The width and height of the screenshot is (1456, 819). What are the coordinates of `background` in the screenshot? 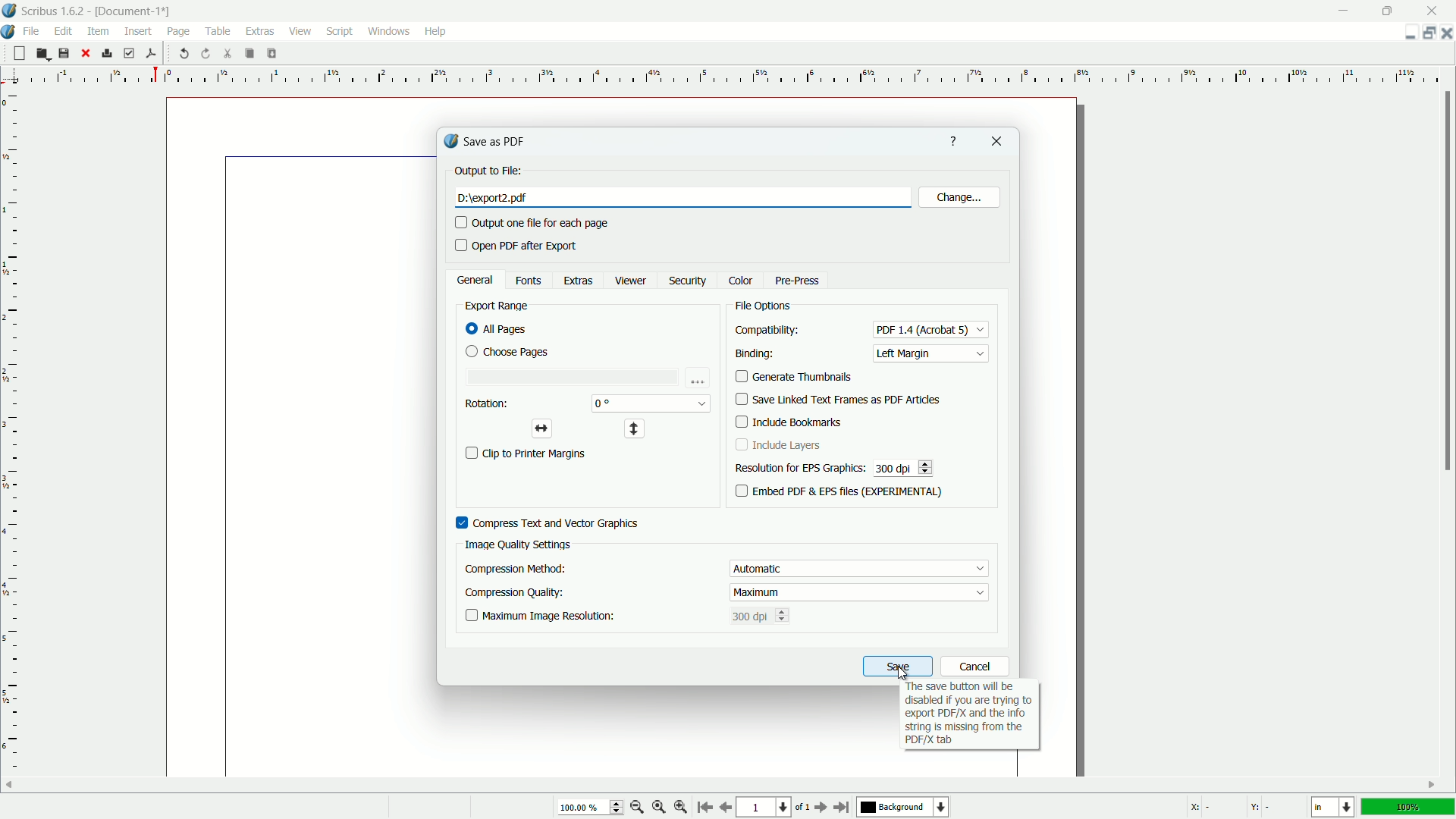 It's located at (903, 806).